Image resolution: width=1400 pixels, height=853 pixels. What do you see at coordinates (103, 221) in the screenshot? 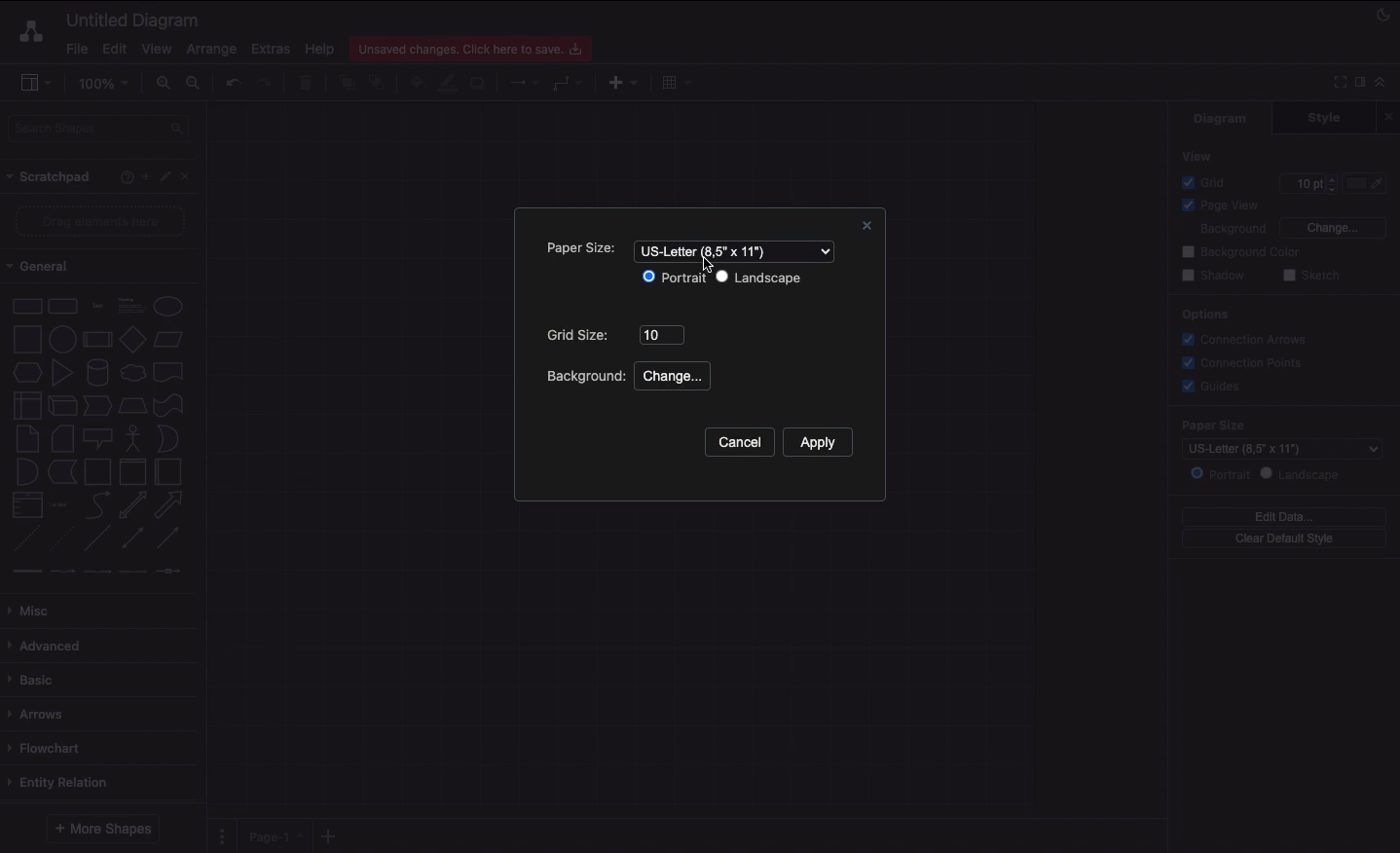
I see `Drag elements here` at bounding box center [103, 221].